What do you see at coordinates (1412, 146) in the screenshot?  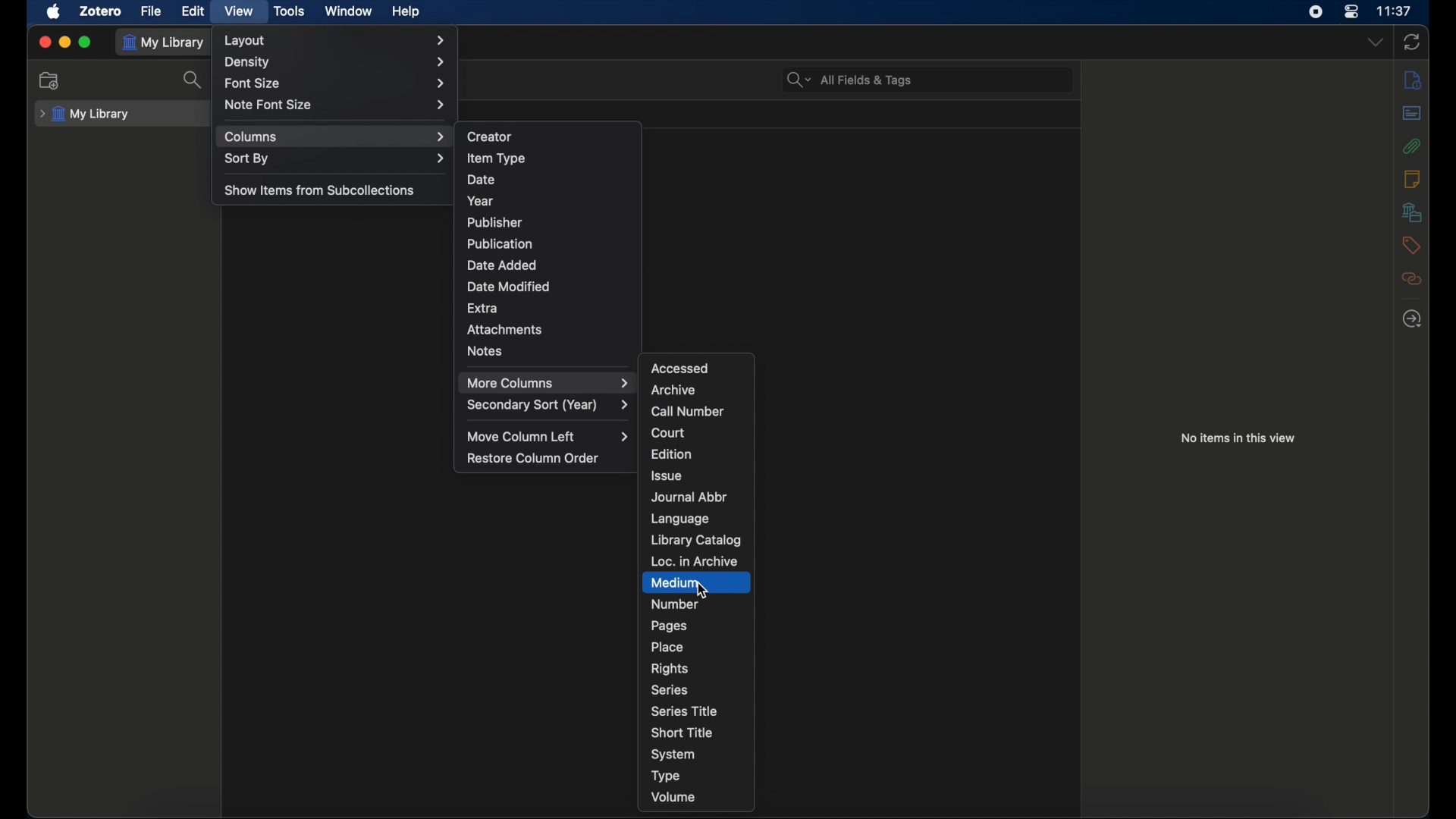 I see `attachments` at bounding box center [1412, 146].